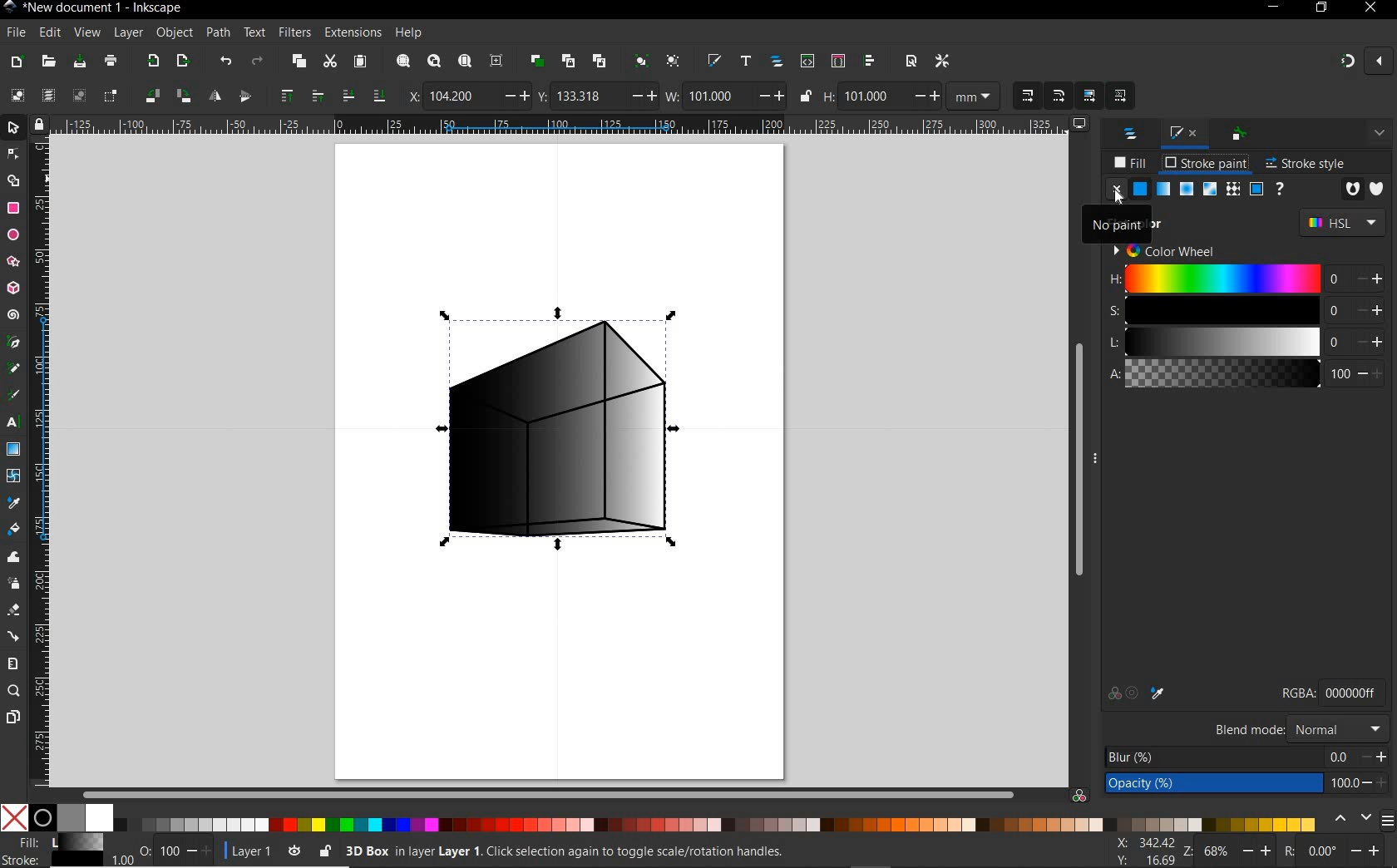 This screenshot has width=1397, height=868. What do you see at coordinates (1370, 278) in the screenshot?
I see `increase/decrease` at bounding box center [1370, 278].